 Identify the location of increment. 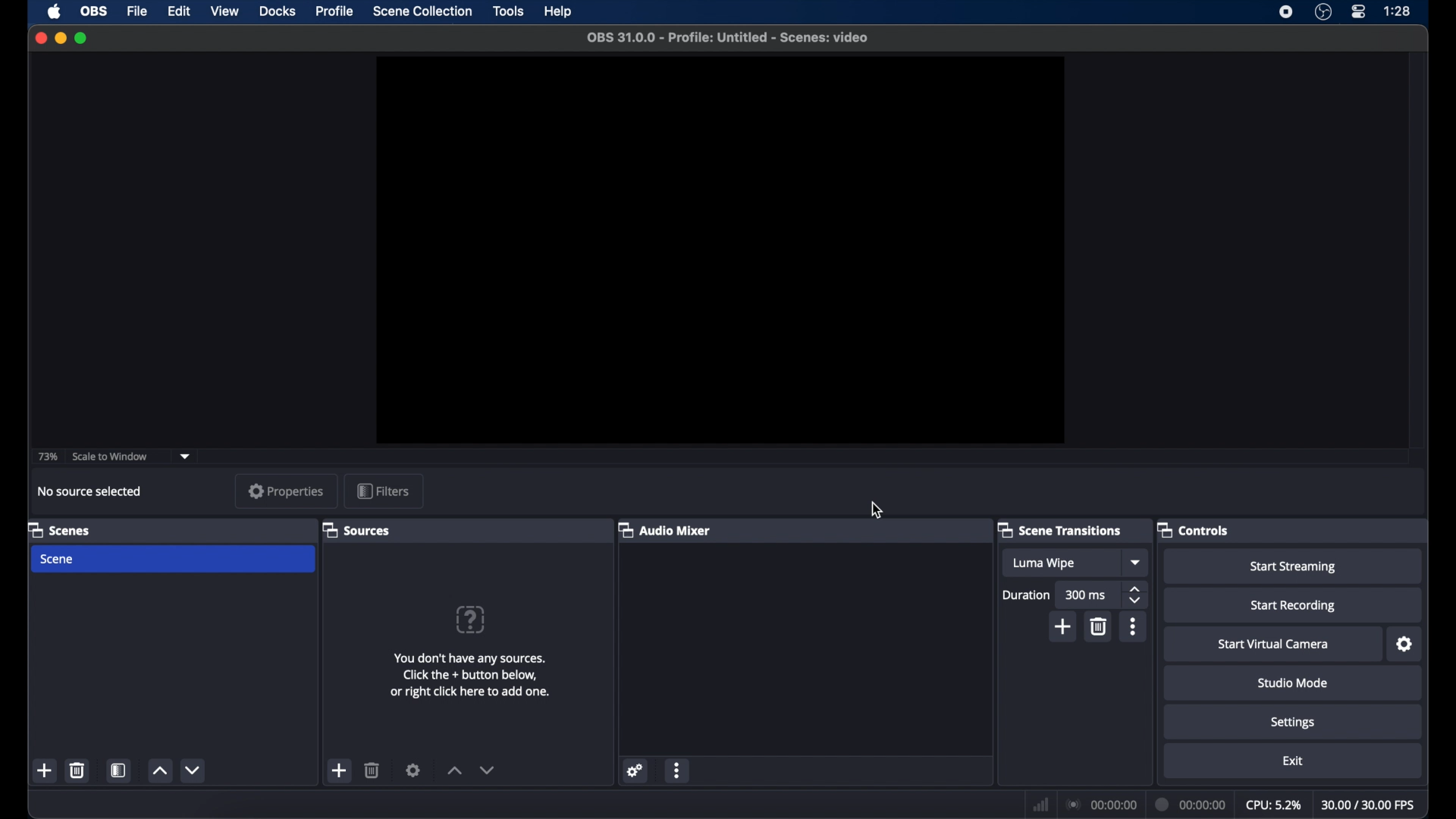
(158, 770).